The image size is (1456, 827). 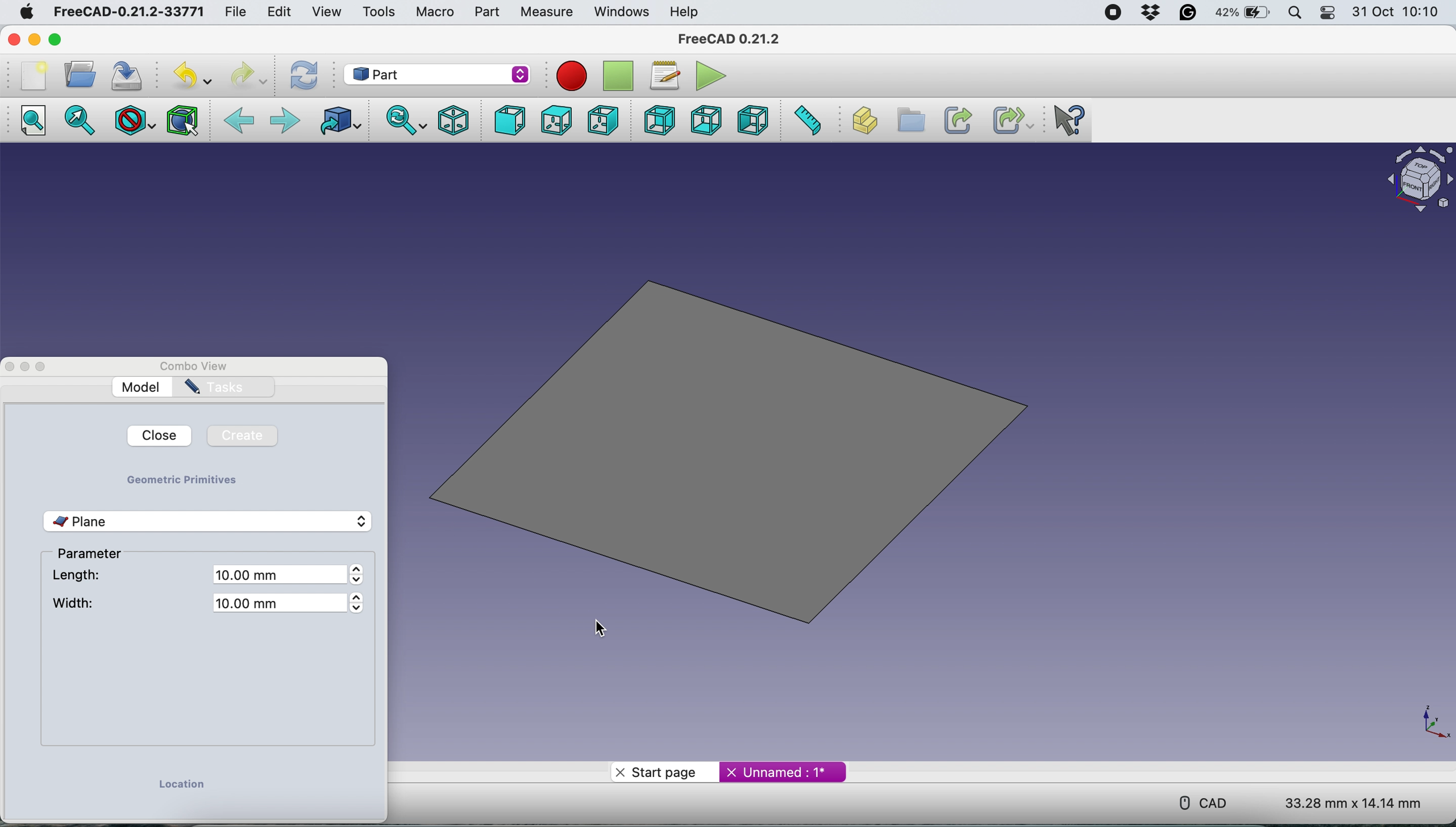 What do you see at coordinates (546, 12) in the screenshot?
I see `Measure` at bounding box center [546, 12].